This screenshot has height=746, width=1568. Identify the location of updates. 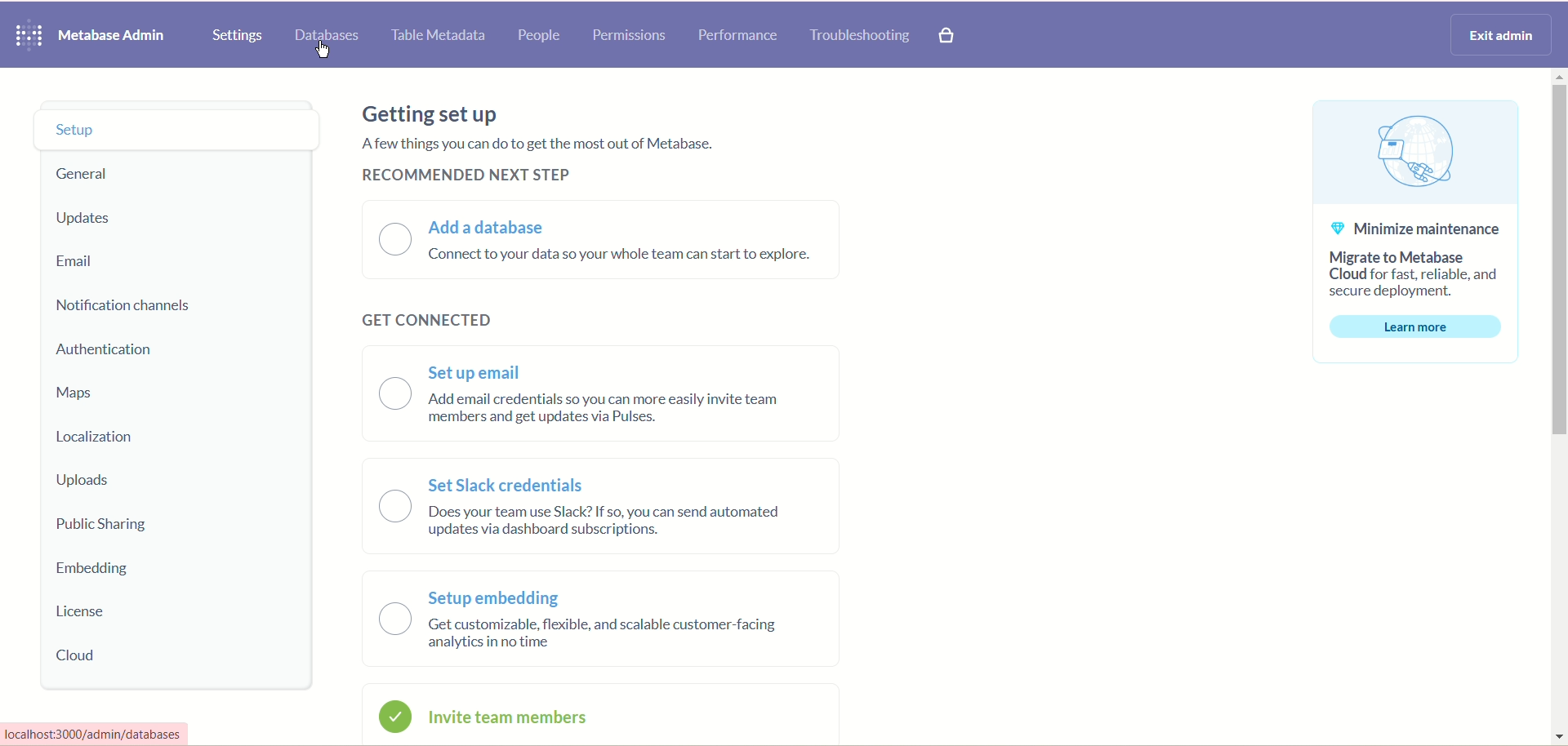
(87, 218).